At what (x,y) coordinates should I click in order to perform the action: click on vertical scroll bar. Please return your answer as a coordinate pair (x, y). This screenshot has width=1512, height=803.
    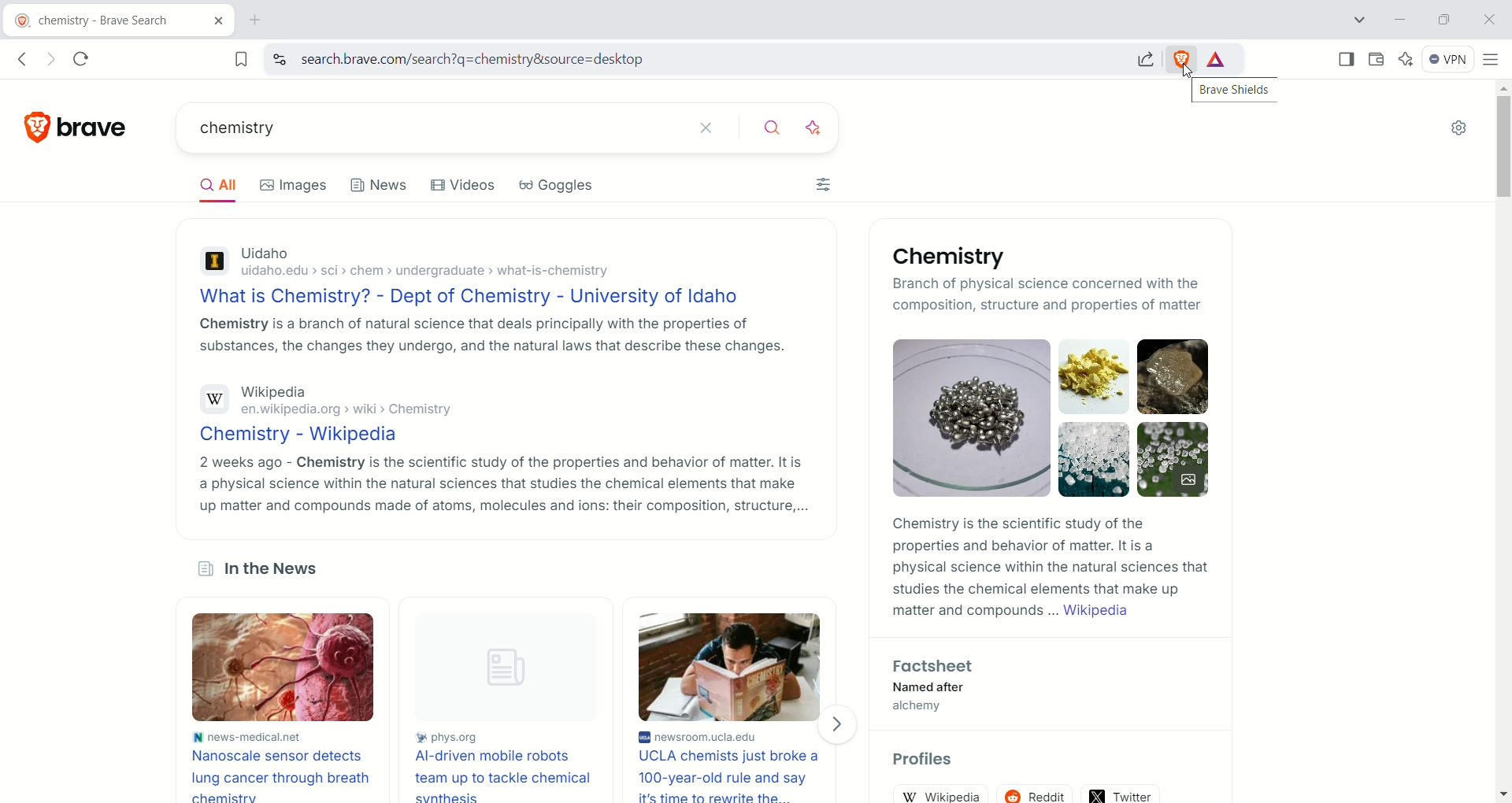
    Looking at the image, I should click on (1502, 443).